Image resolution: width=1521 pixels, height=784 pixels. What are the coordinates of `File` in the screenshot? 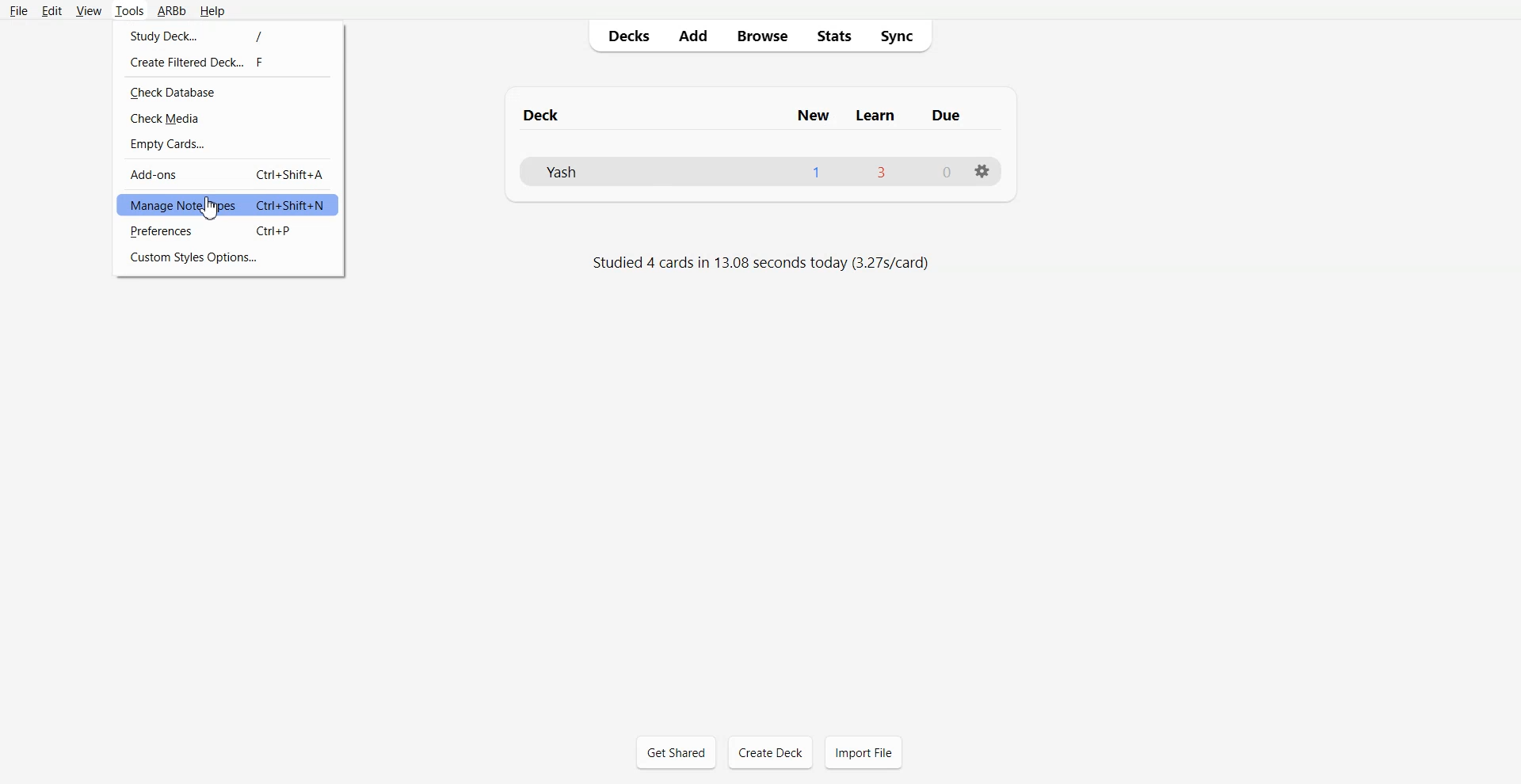 It's located at (18, 11).